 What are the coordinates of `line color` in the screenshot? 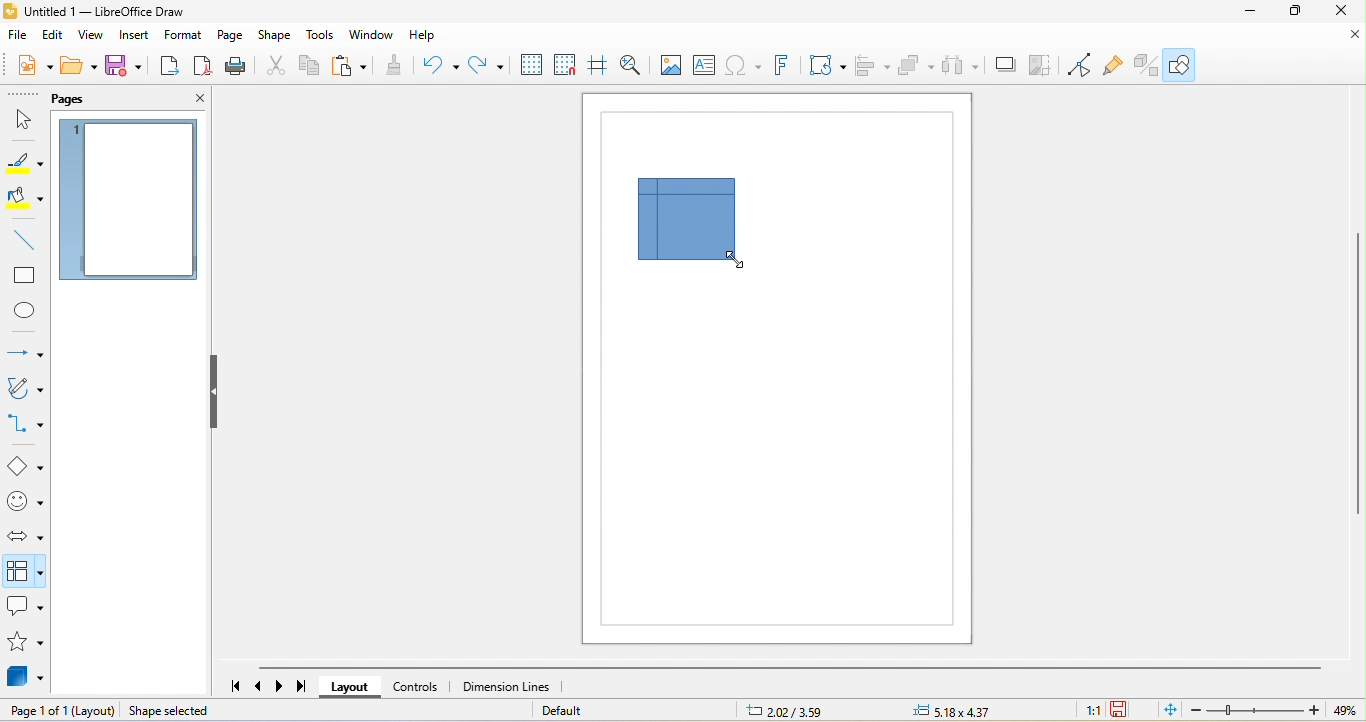 It's located at (24, 160).